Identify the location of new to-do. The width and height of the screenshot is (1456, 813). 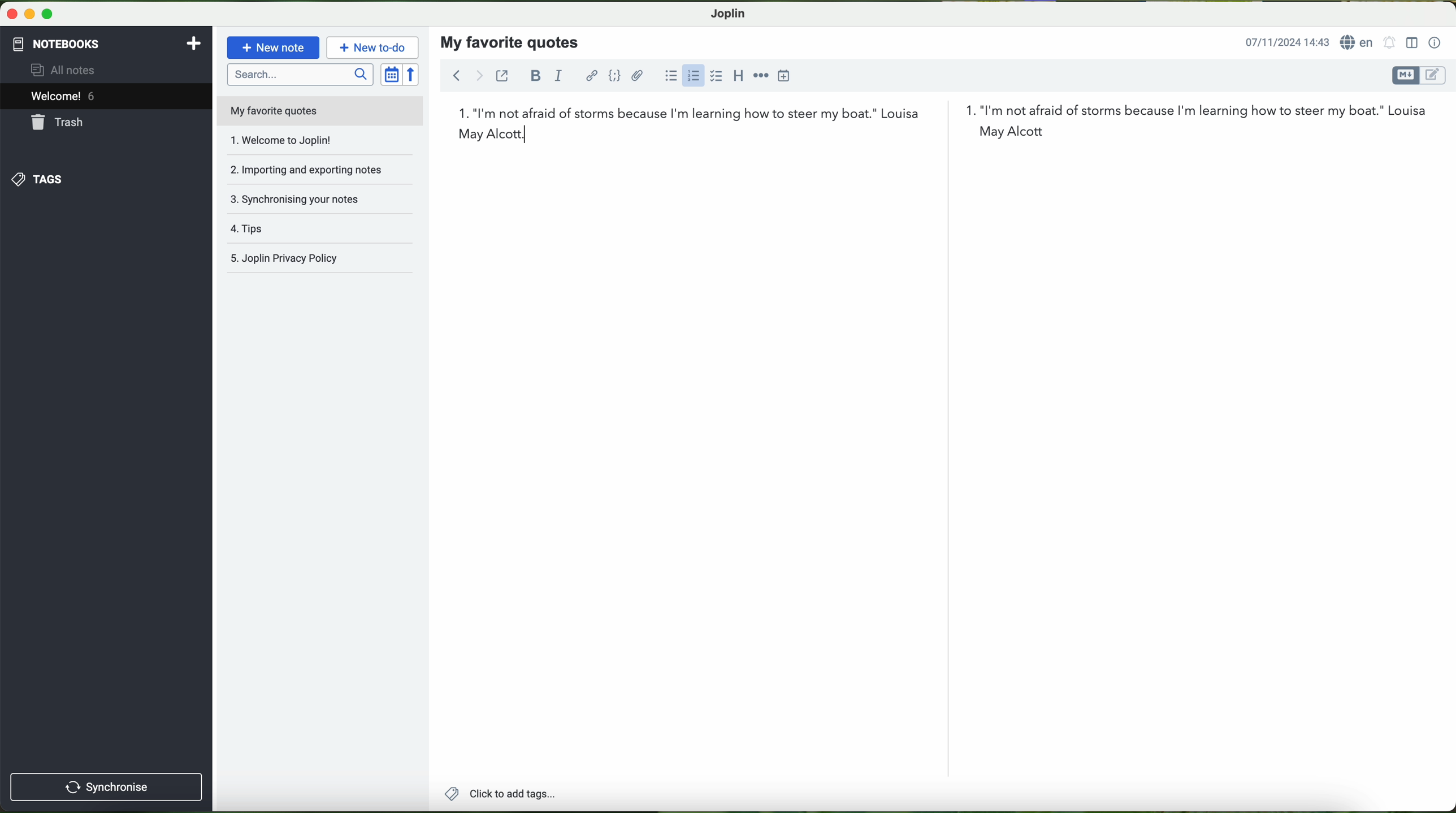
(374, 48).